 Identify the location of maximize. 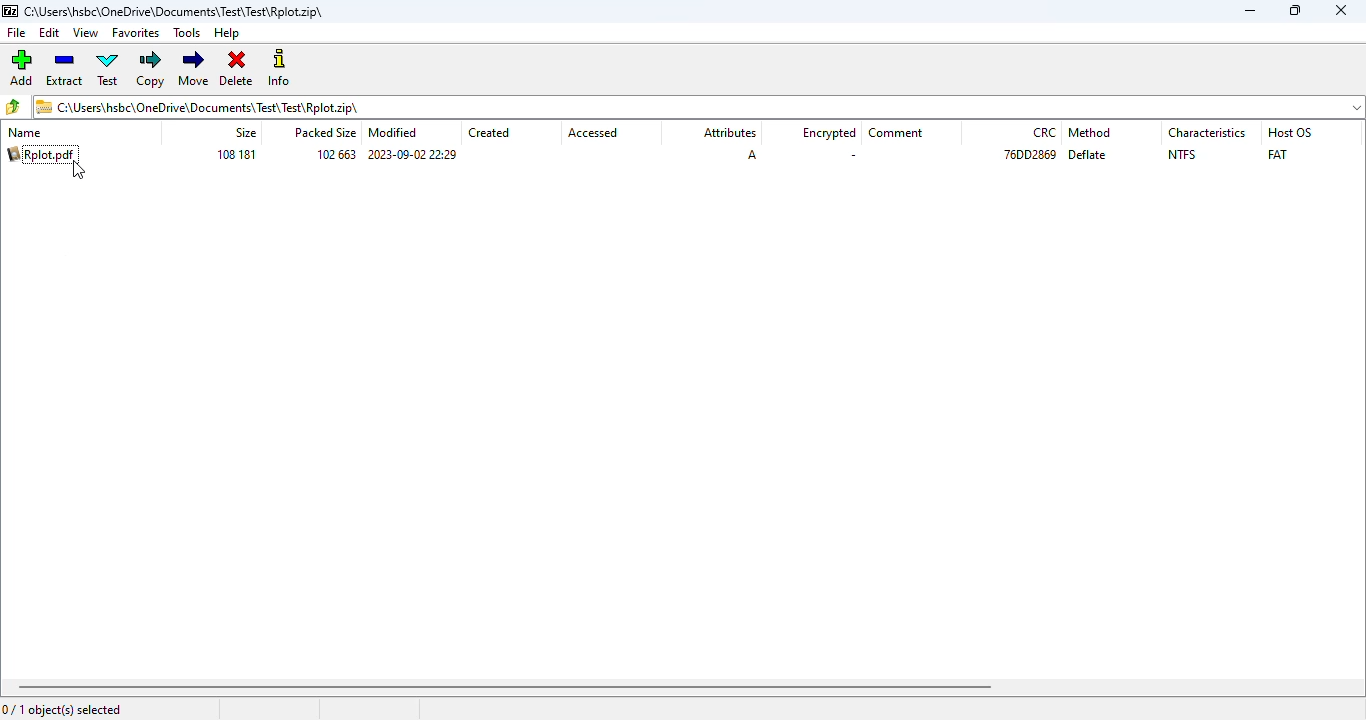
(1296, 10).